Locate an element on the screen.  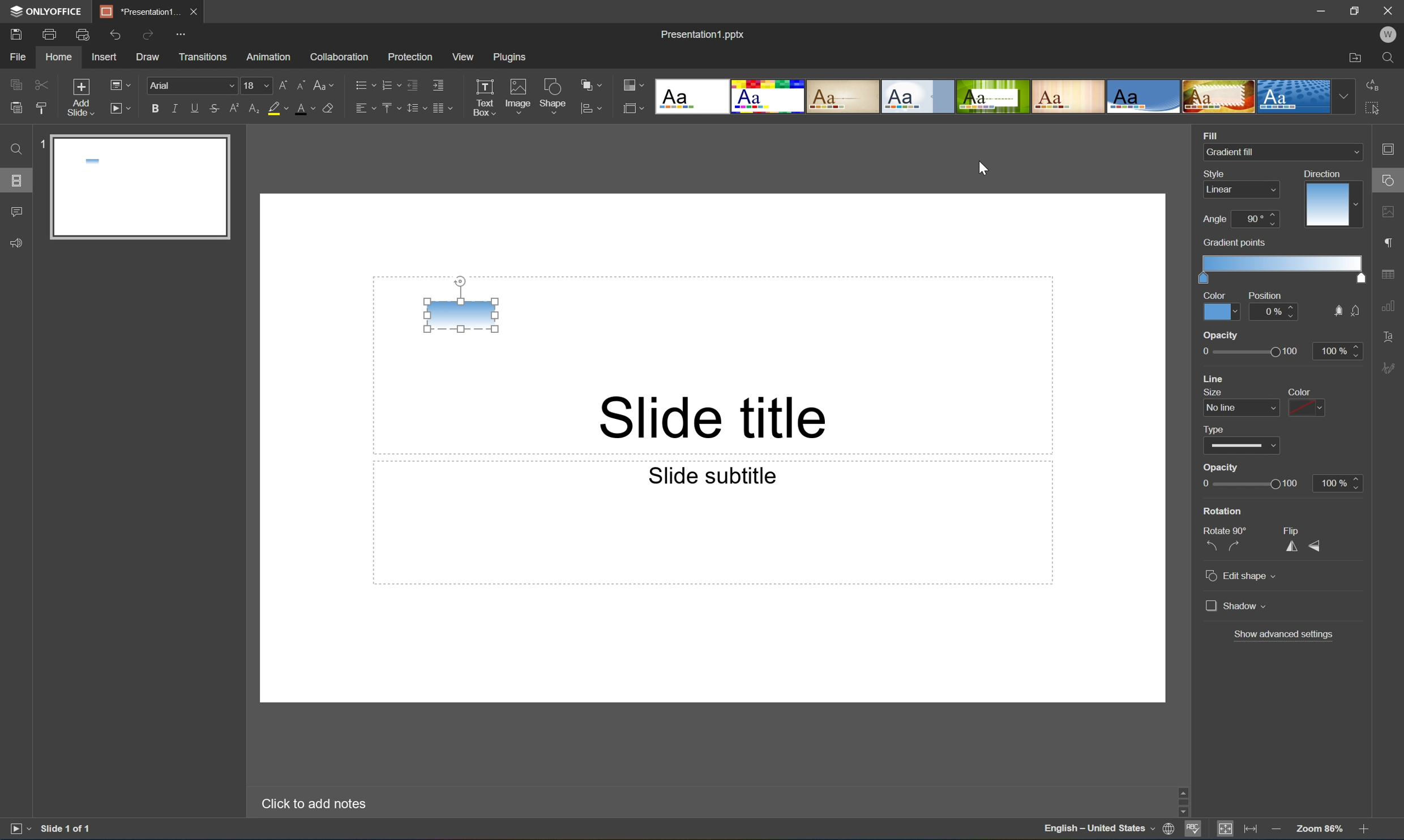
Select all is located at coordinates (1376, 112).